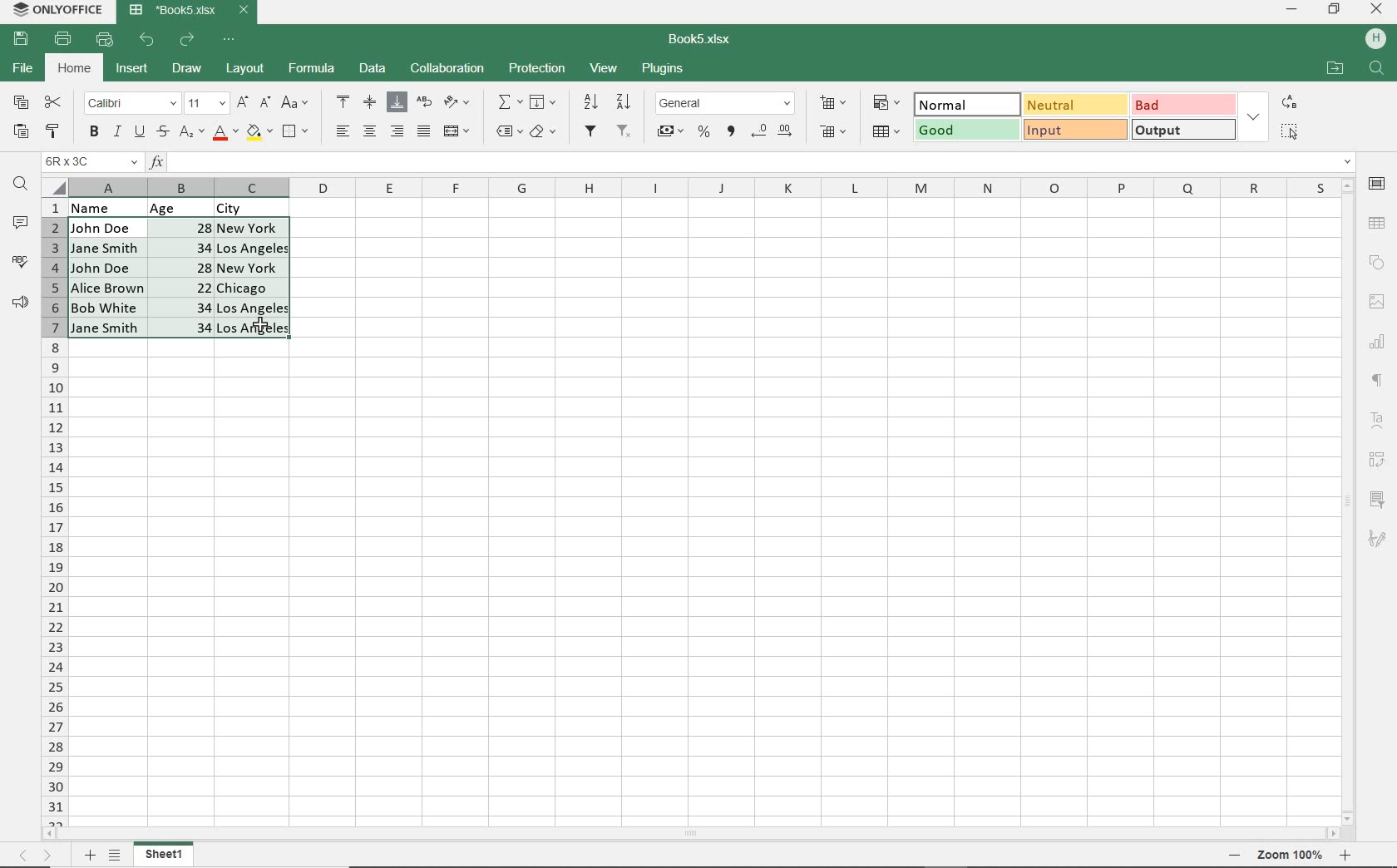  I want to click on ALIGN TOP, so click(344, 101).